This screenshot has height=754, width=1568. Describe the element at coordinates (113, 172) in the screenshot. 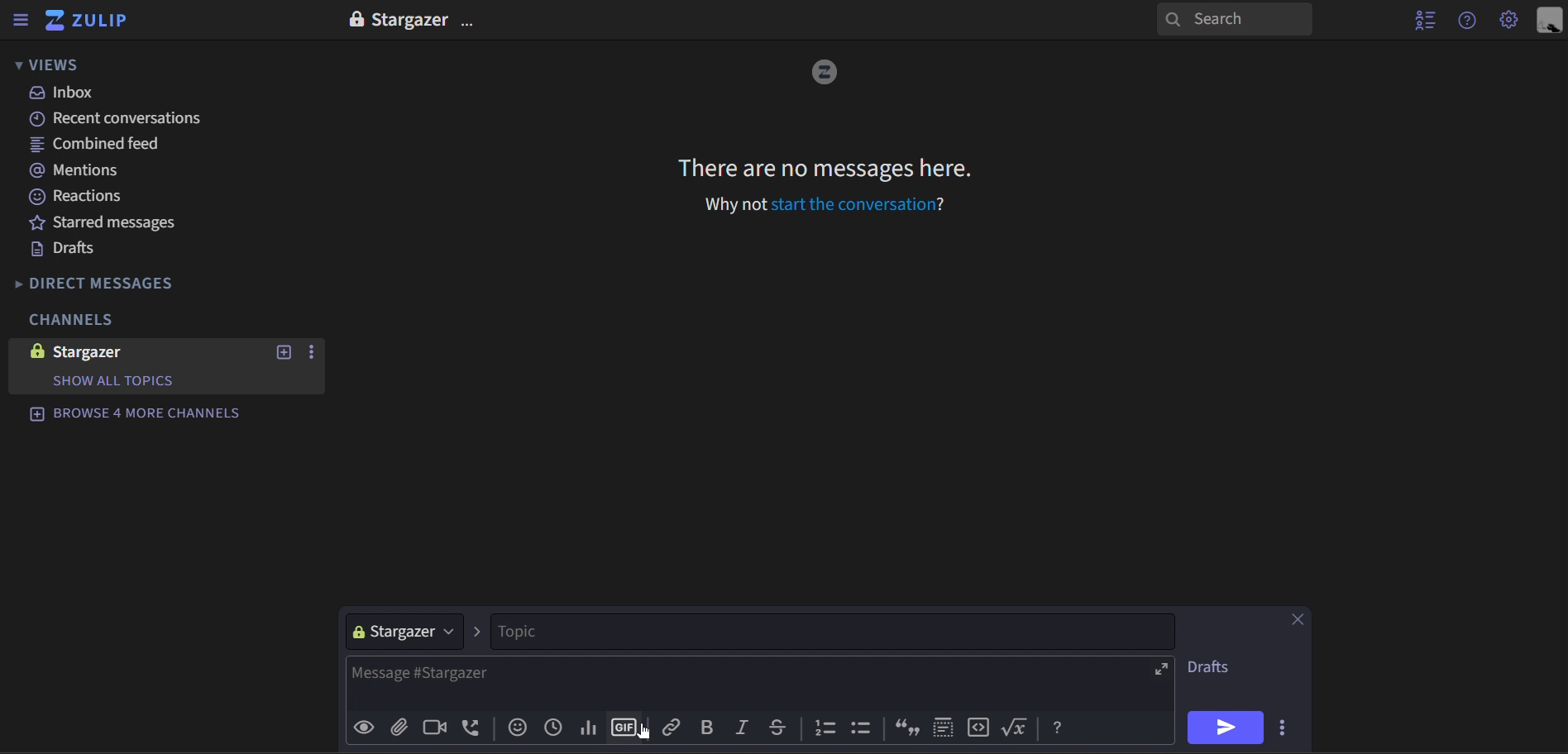

I see `mentions` at that location.